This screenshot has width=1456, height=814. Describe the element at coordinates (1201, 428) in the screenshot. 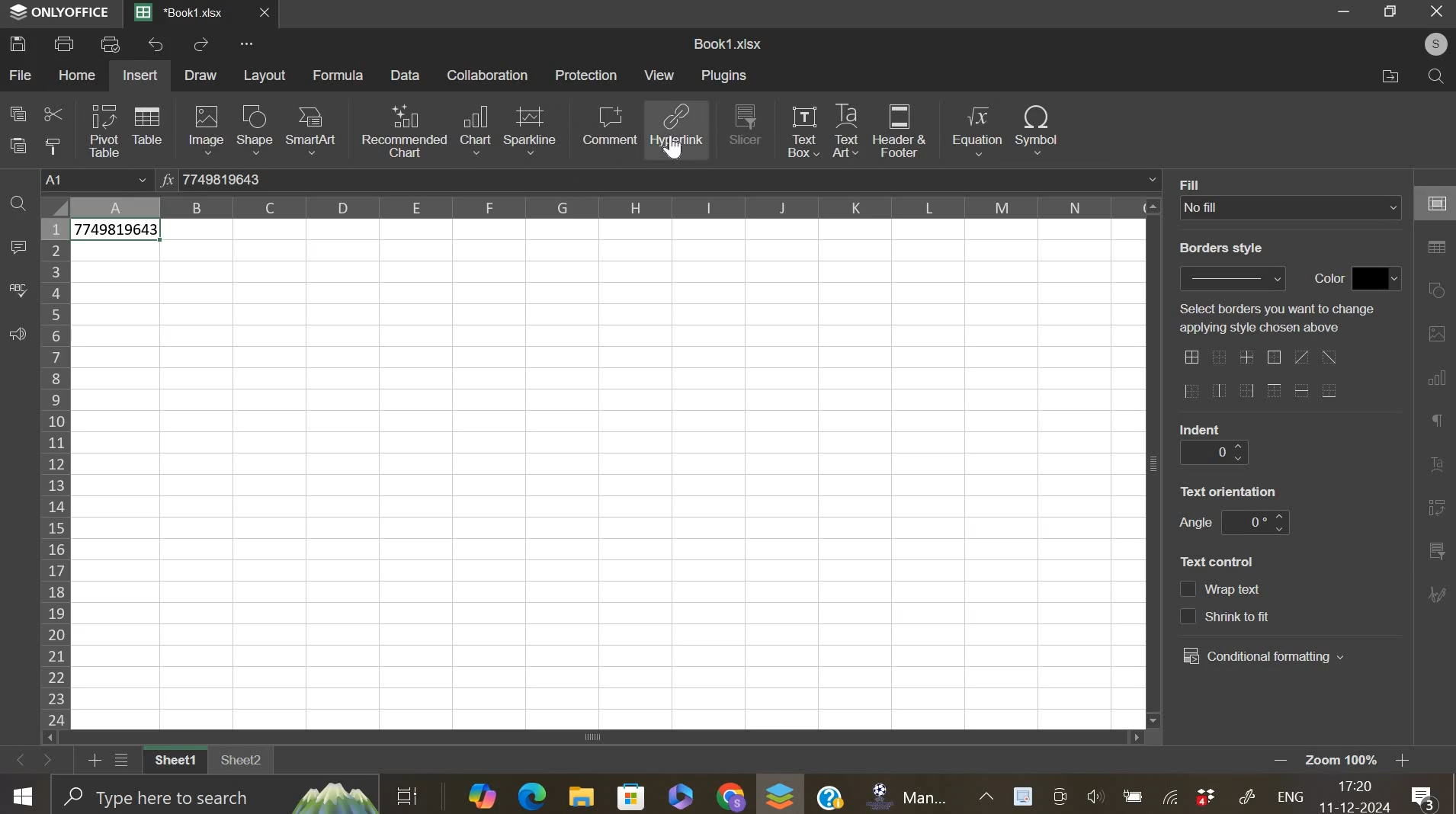

I see `text` at that location.